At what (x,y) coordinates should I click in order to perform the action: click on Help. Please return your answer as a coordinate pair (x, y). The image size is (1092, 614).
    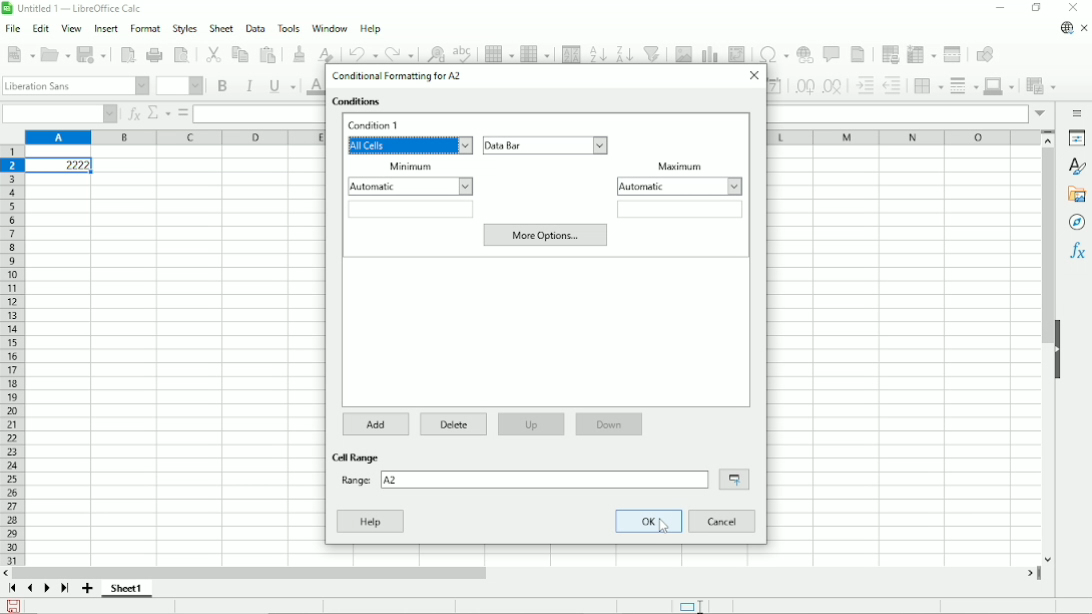
    Looking at the image, I should click on (371, 29).